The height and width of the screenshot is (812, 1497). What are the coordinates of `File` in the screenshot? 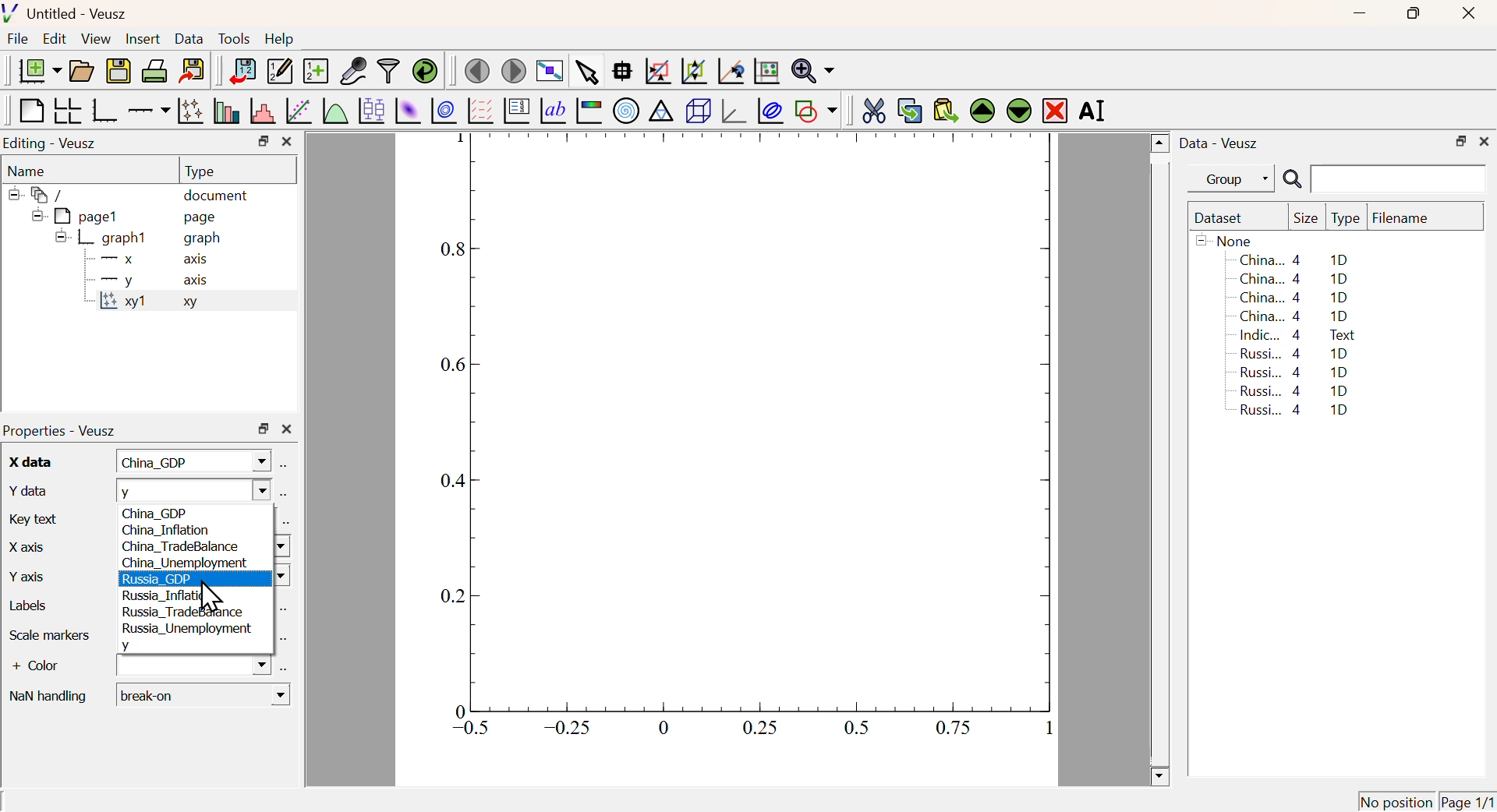 It's located at (18, 39).